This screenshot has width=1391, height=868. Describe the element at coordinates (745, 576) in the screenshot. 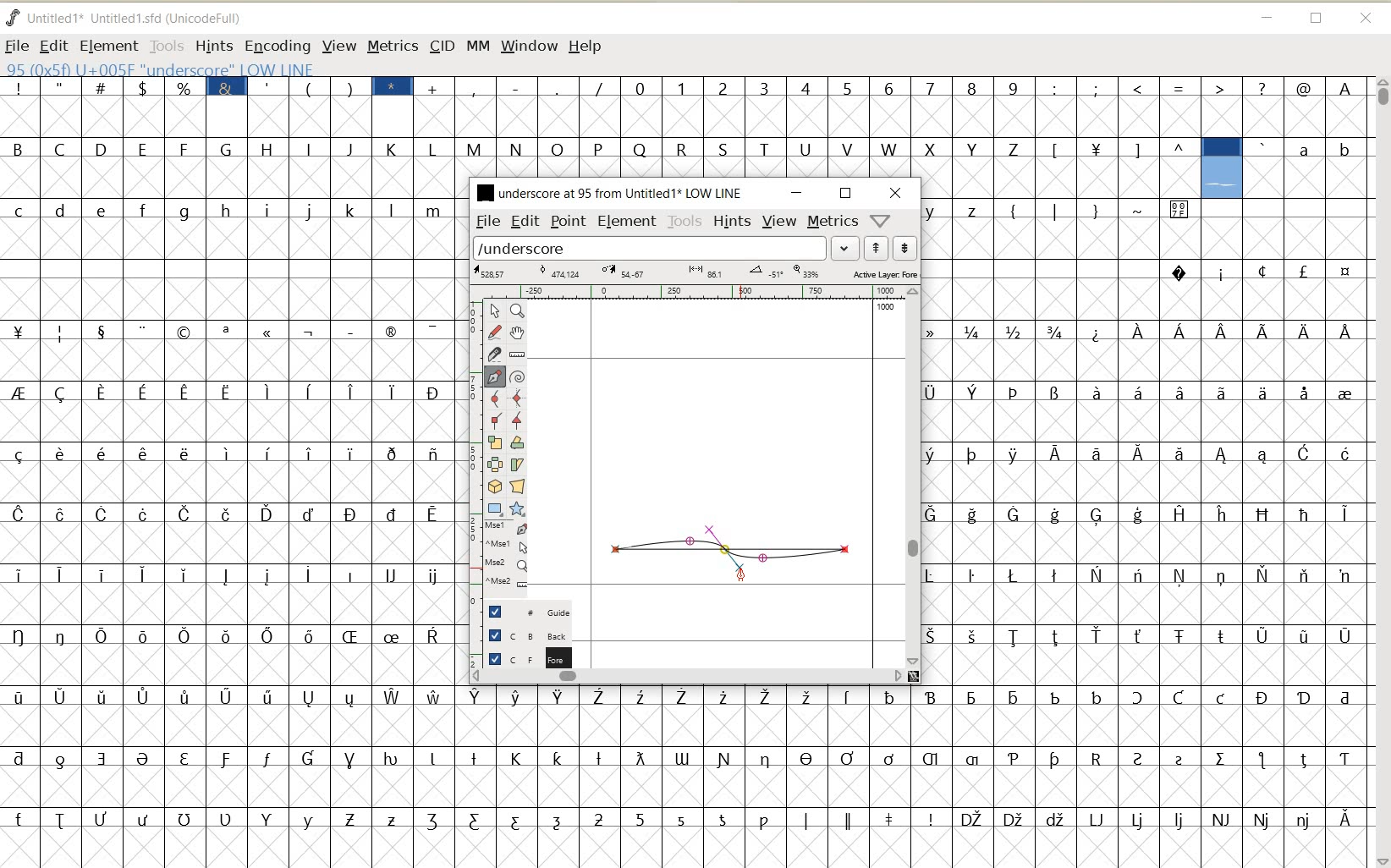

I see `CURSOR POSITION` at that location.